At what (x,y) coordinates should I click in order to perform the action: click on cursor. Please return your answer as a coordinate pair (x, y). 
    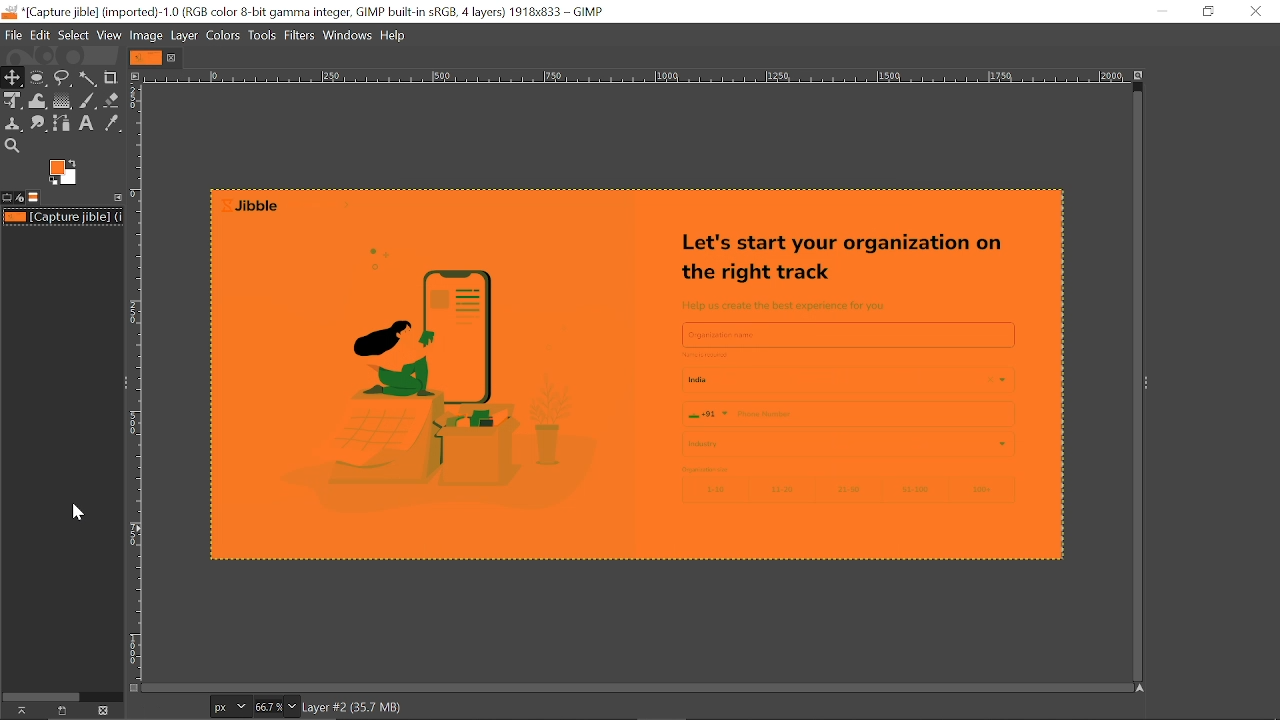
    Looking at the image, I should click on (80, 512).